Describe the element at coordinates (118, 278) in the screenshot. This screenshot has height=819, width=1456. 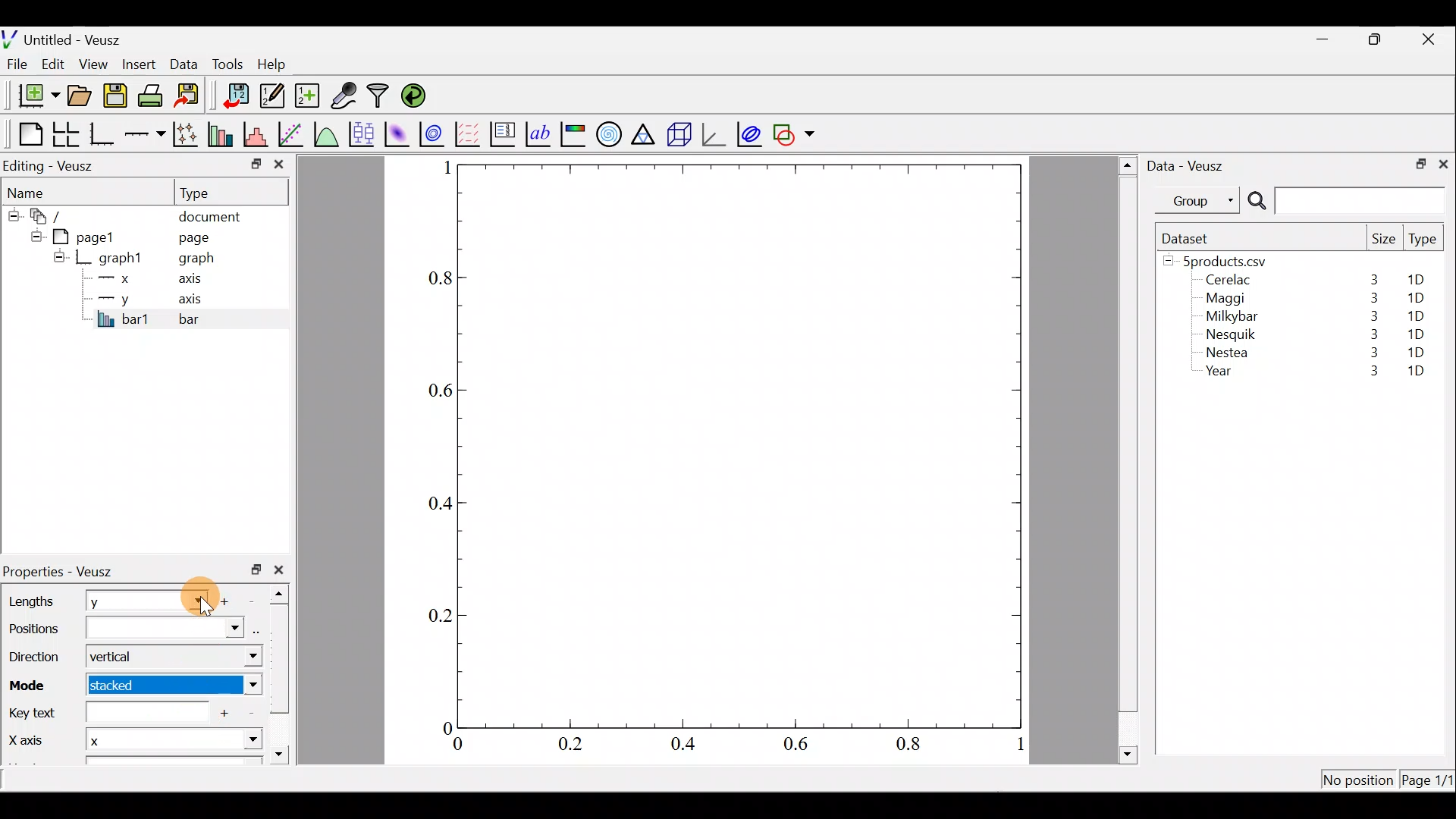
I see `x` at that location.